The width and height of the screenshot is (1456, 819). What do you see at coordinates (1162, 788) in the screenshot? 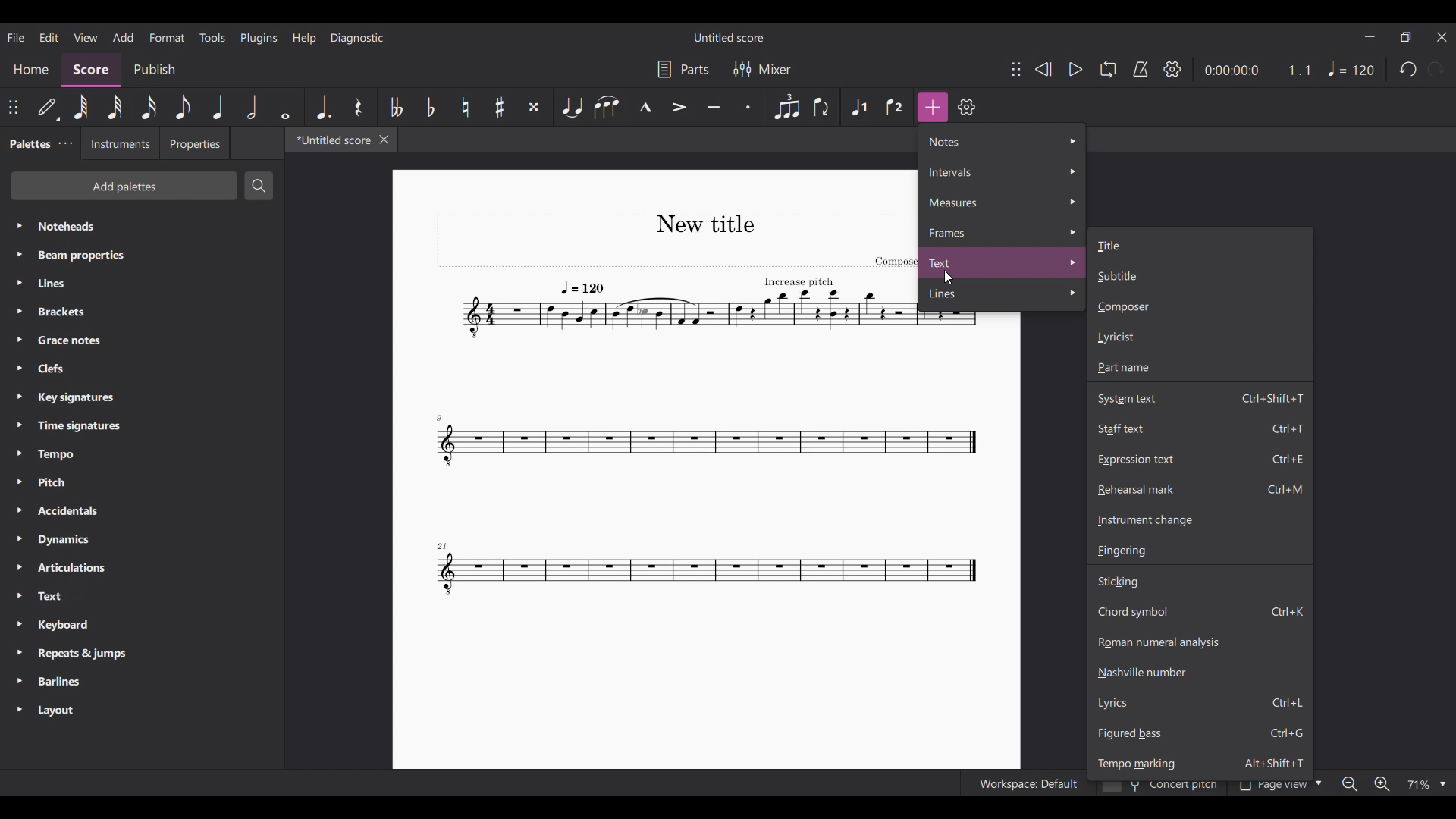
I see `Concert pitch toggle` at bounding box center [1162, 788].